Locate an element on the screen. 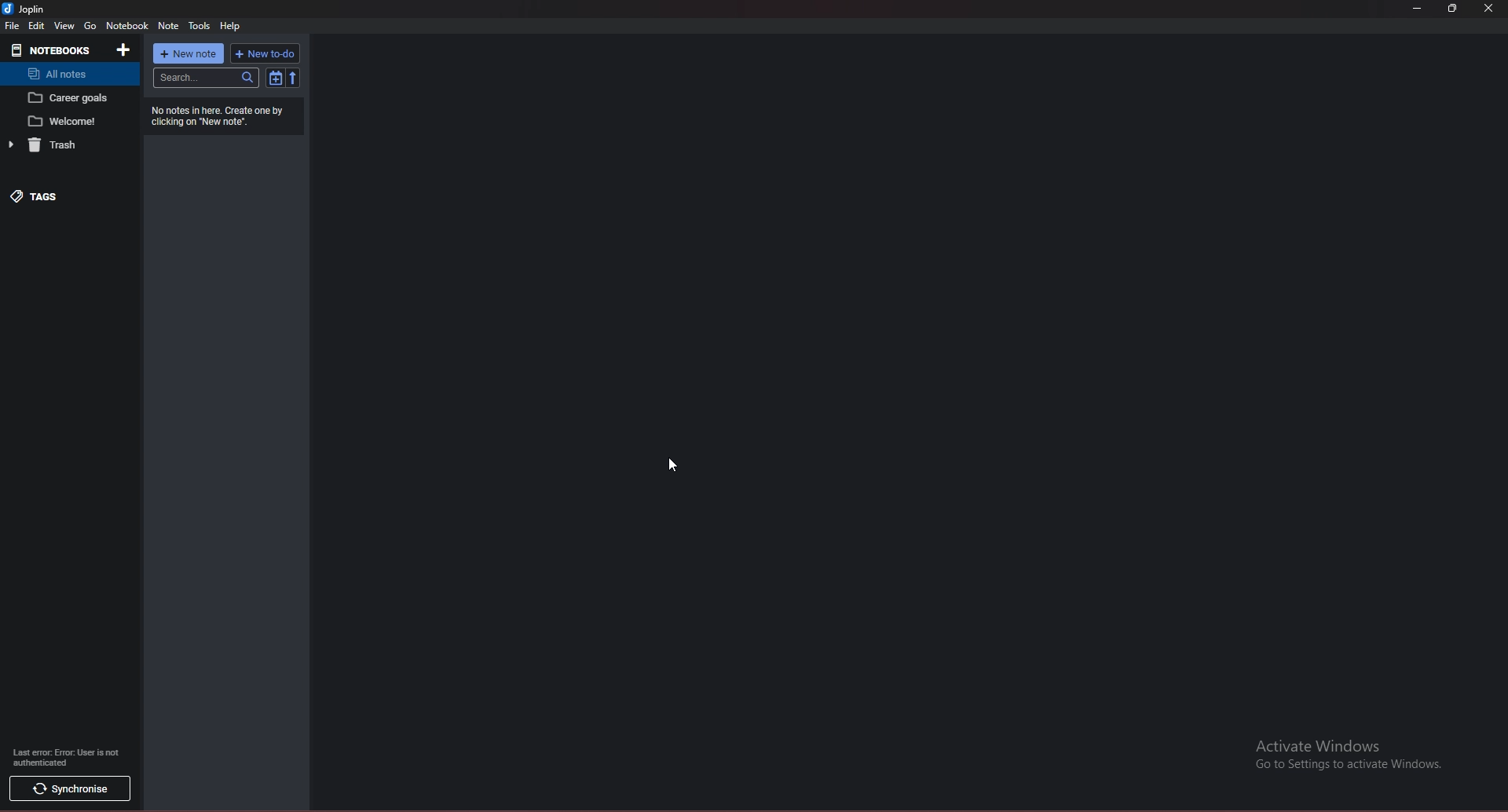  new todo is located at coordinates (264, 53).